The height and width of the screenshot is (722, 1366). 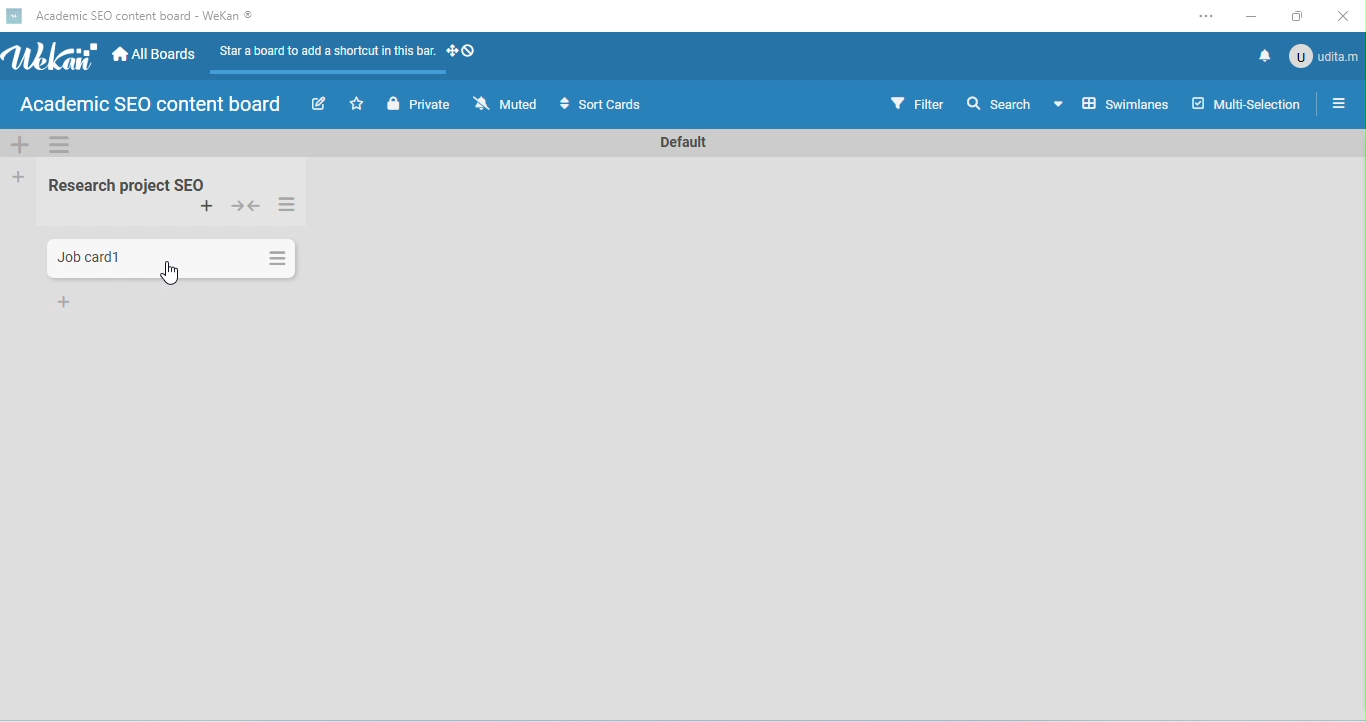 I want to click on swimelane actions, so click(x=60, y=146).